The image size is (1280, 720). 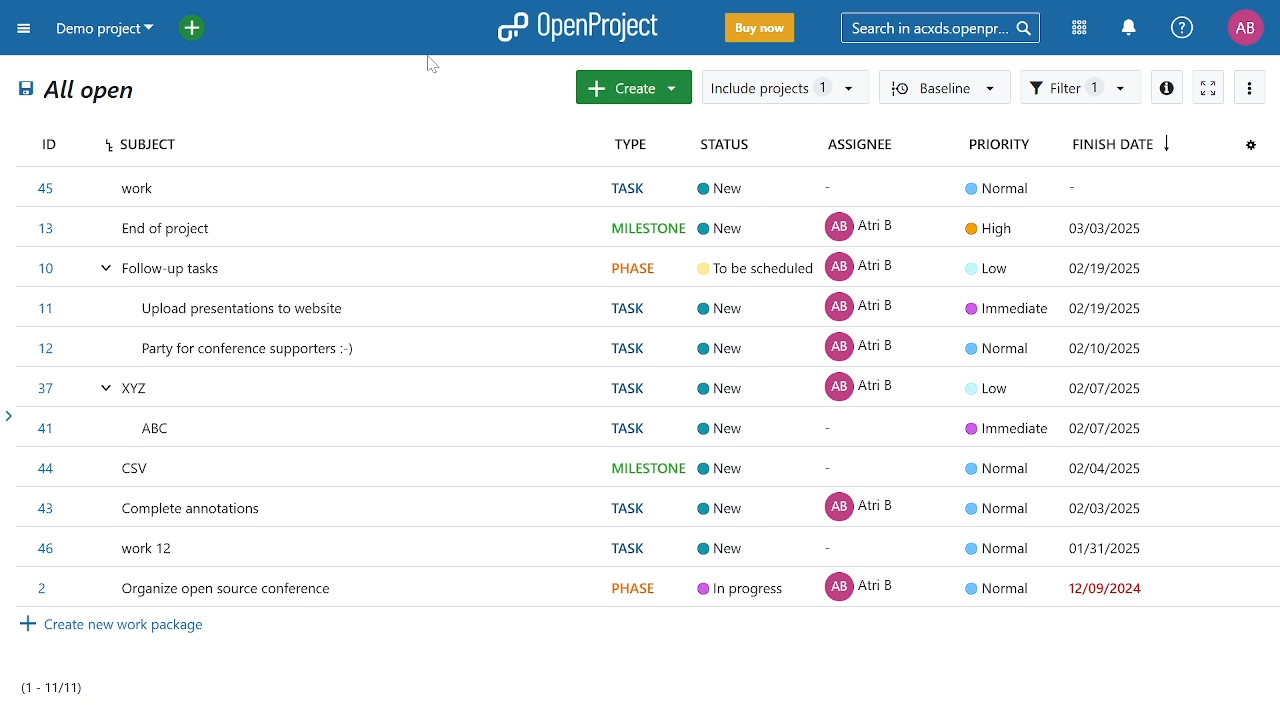 I want to click on finish date, so click(x=1120, y=145).